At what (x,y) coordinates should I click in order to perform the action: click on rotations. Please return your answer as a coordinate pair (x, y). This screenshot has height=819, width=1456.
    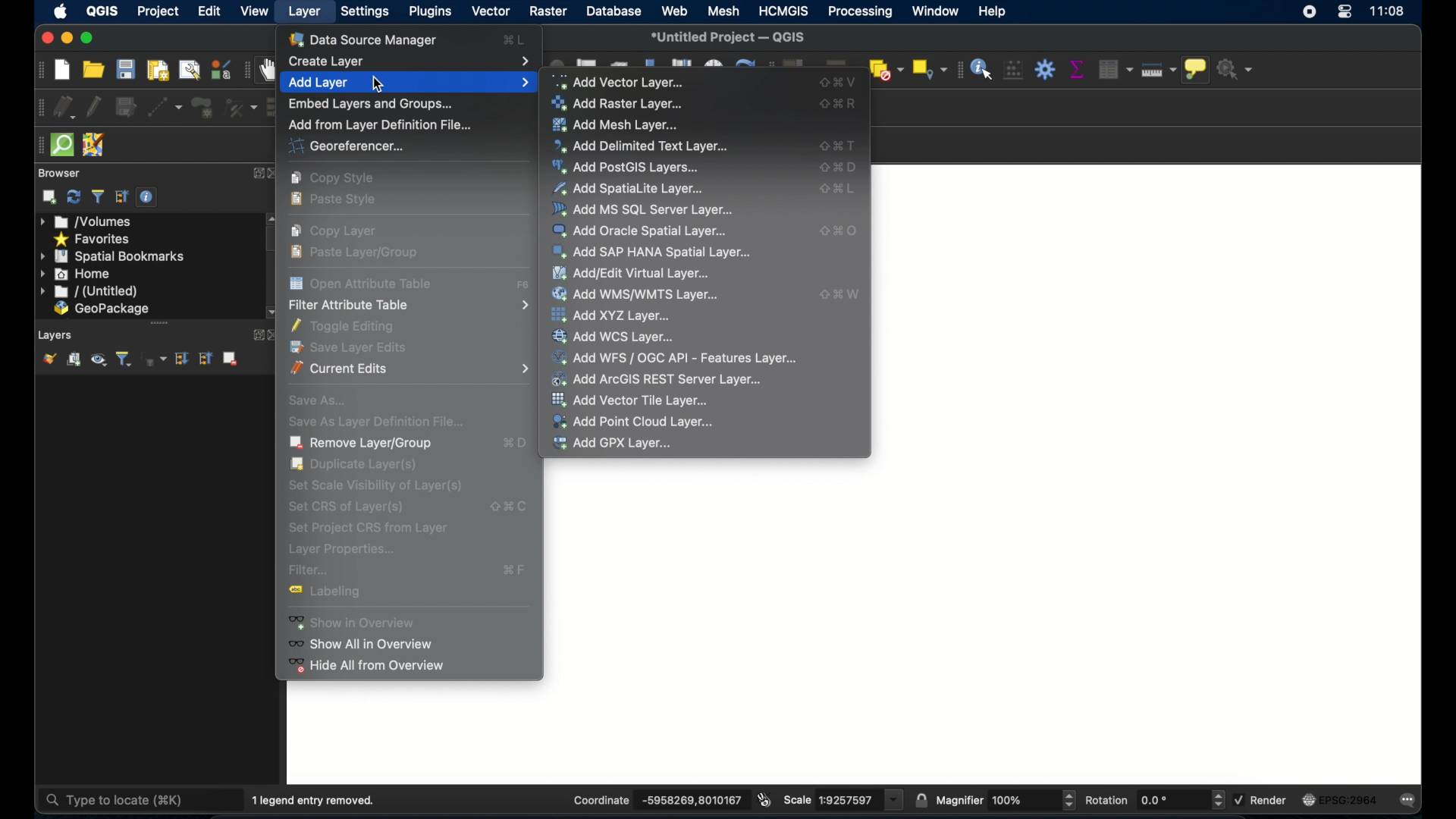
    Looking at the image, I should click on (1155, 800).